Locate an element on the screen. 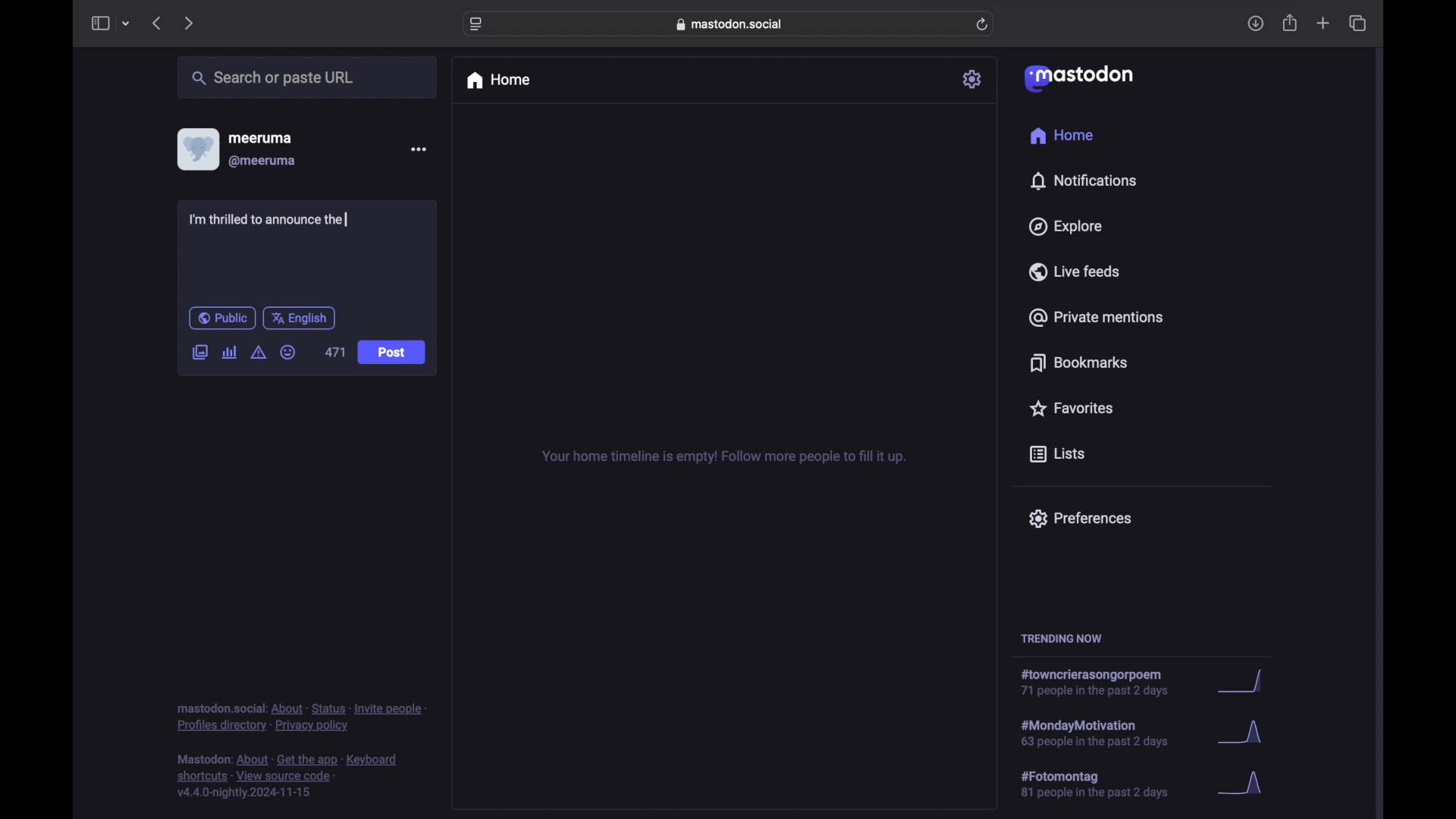 The image size is (1456, 819). post is located at coordinates (391, 353).